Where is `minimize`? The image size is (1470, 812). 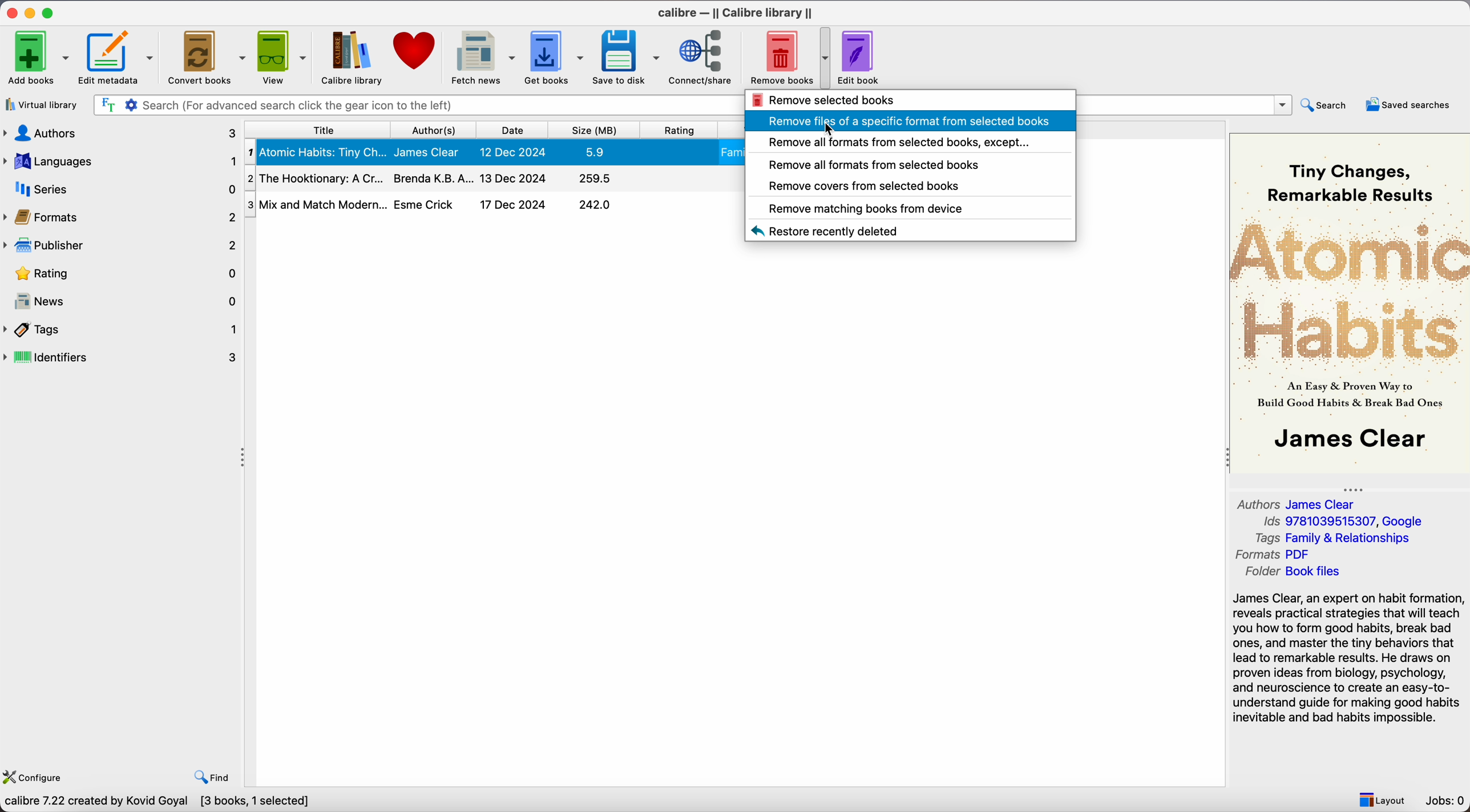
minimize is located at coordinates (32, 14).